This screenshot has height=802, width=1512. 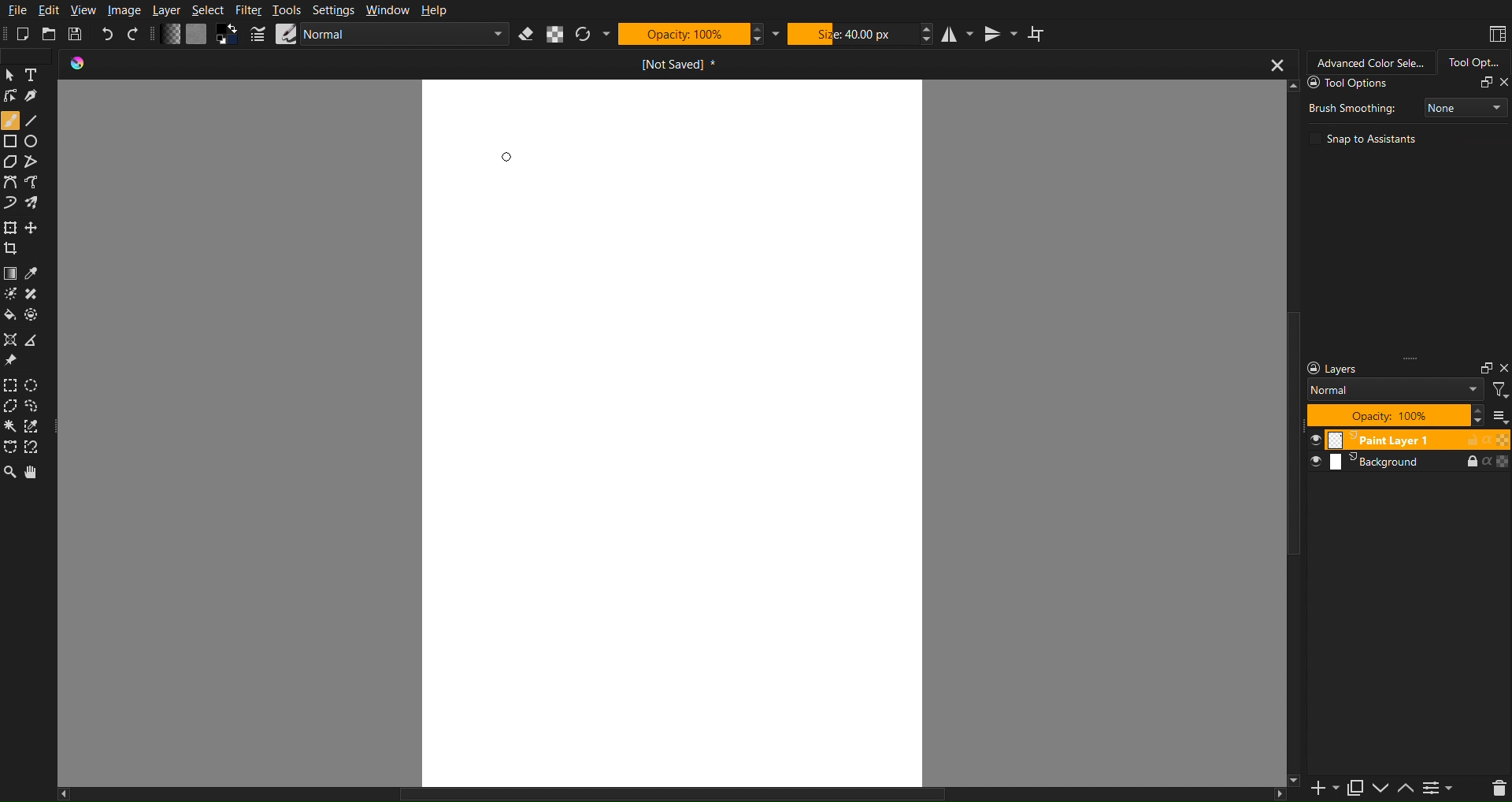 I want to click on Add Slide, so click(x=1323, y=789).